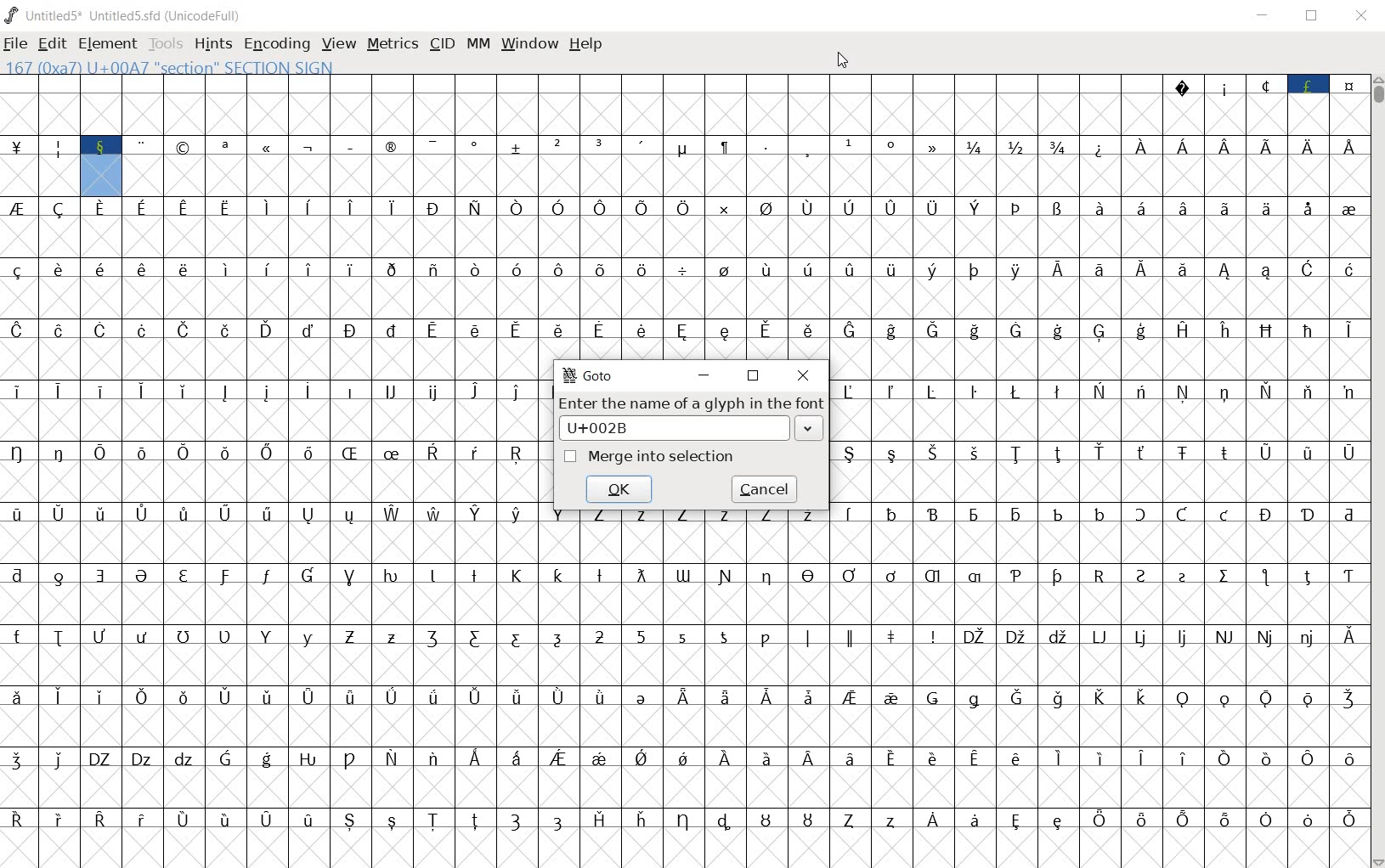  Describe the element at coordinates (51, 42) in the screenshot. I see `edit` at that location.